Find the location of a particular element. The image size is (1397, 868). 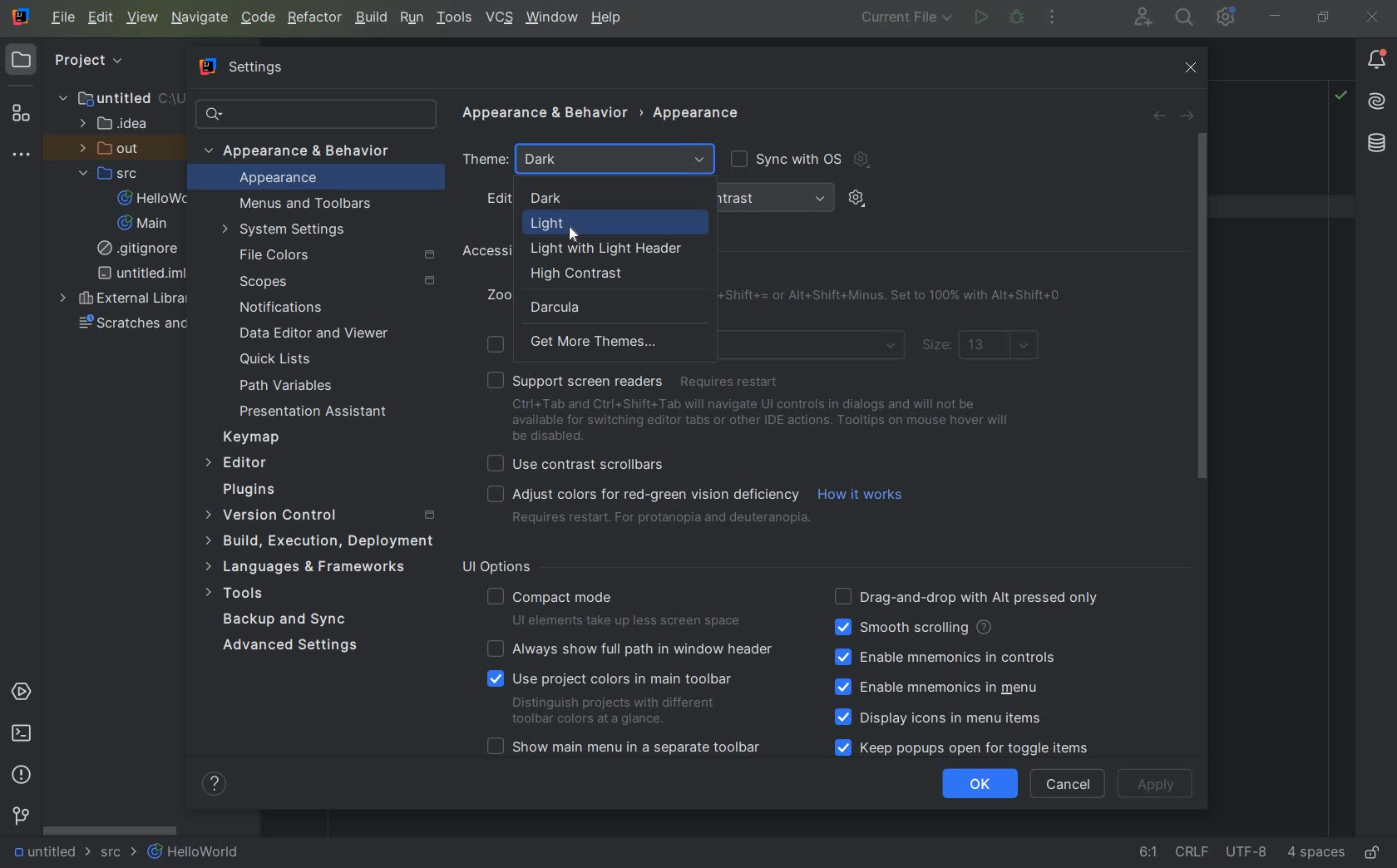

UI Options is located at coordinates (503, 567).